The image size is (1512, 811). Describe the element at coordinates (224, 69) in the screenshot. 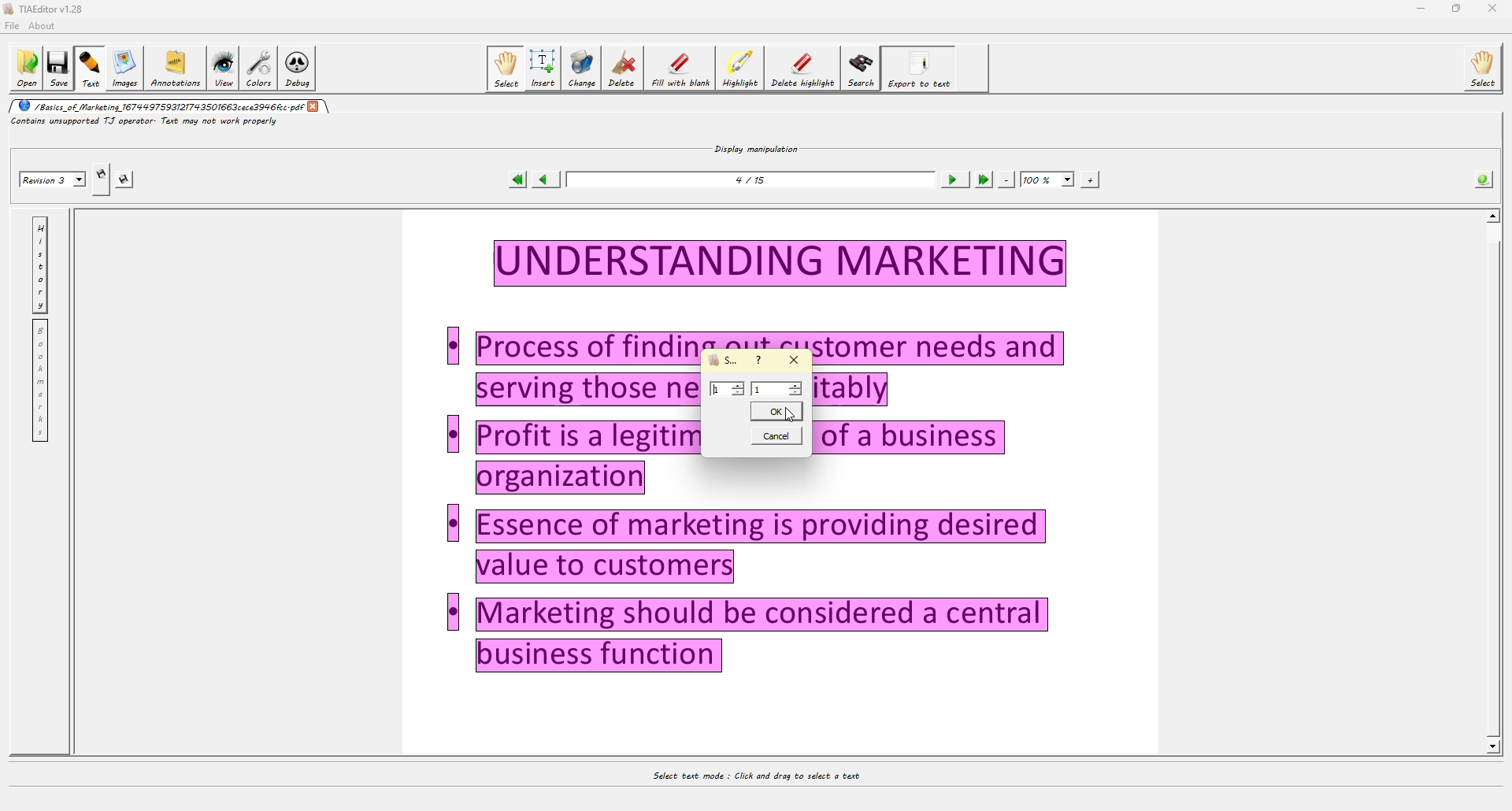

I see `view` at that location.